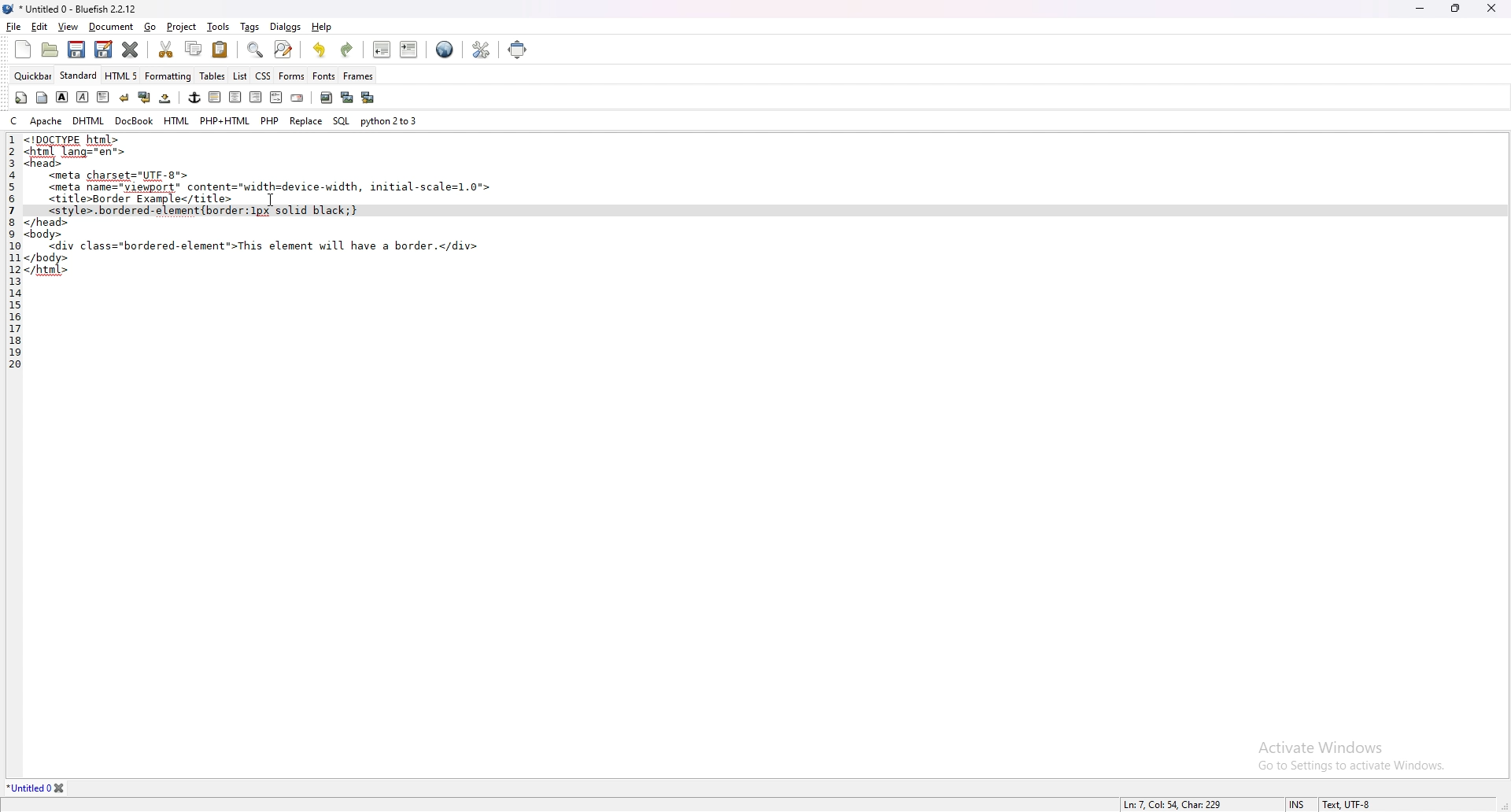 This screenshot has width=1511, height=812. What do you see at coordinates (42, 98) in the screenshot?
I see `body` at bounding box center [42, 98].